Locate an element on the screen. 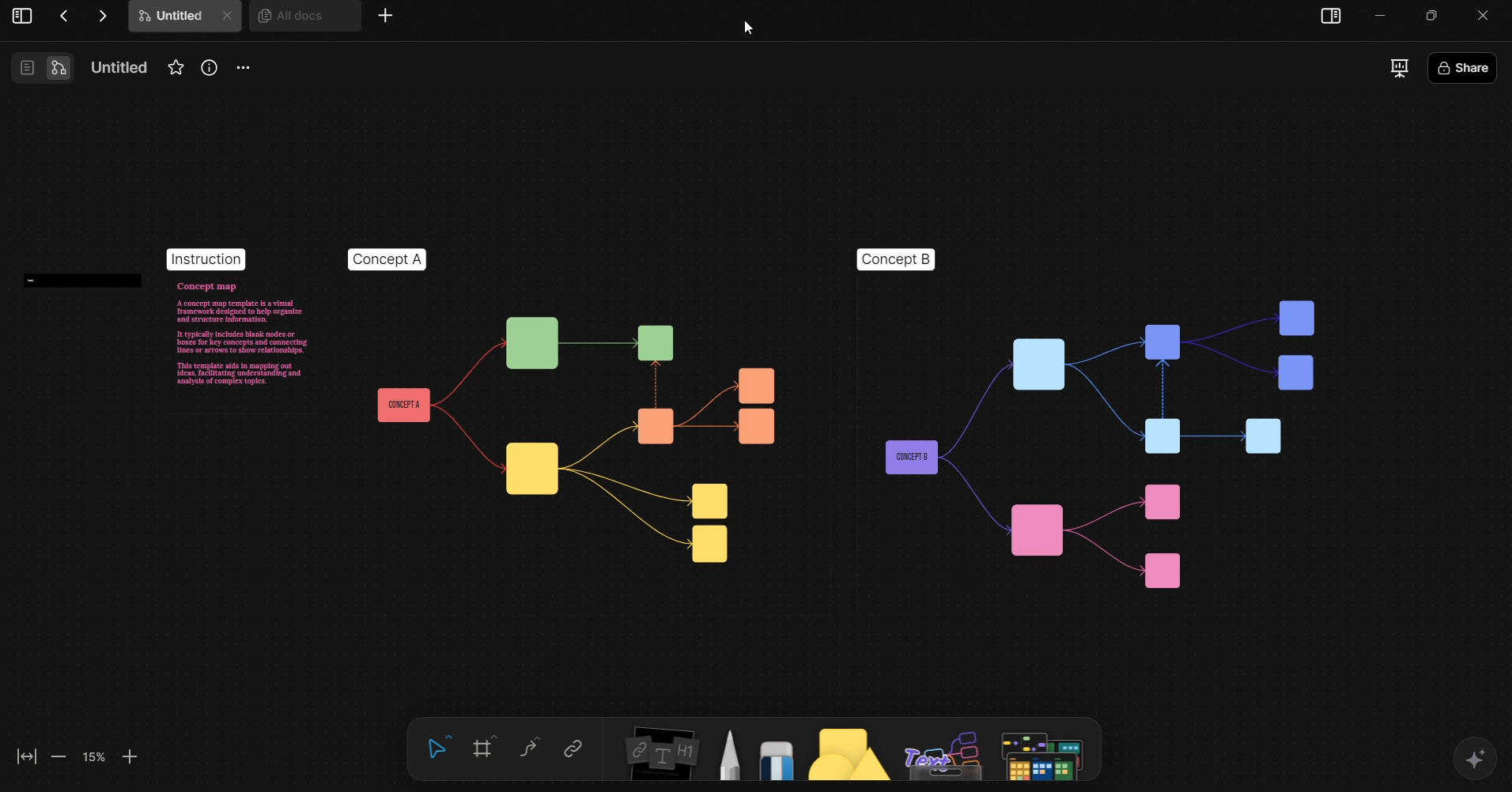 The image size is (1512, 792). AI is located at coordinates (1477, 761).